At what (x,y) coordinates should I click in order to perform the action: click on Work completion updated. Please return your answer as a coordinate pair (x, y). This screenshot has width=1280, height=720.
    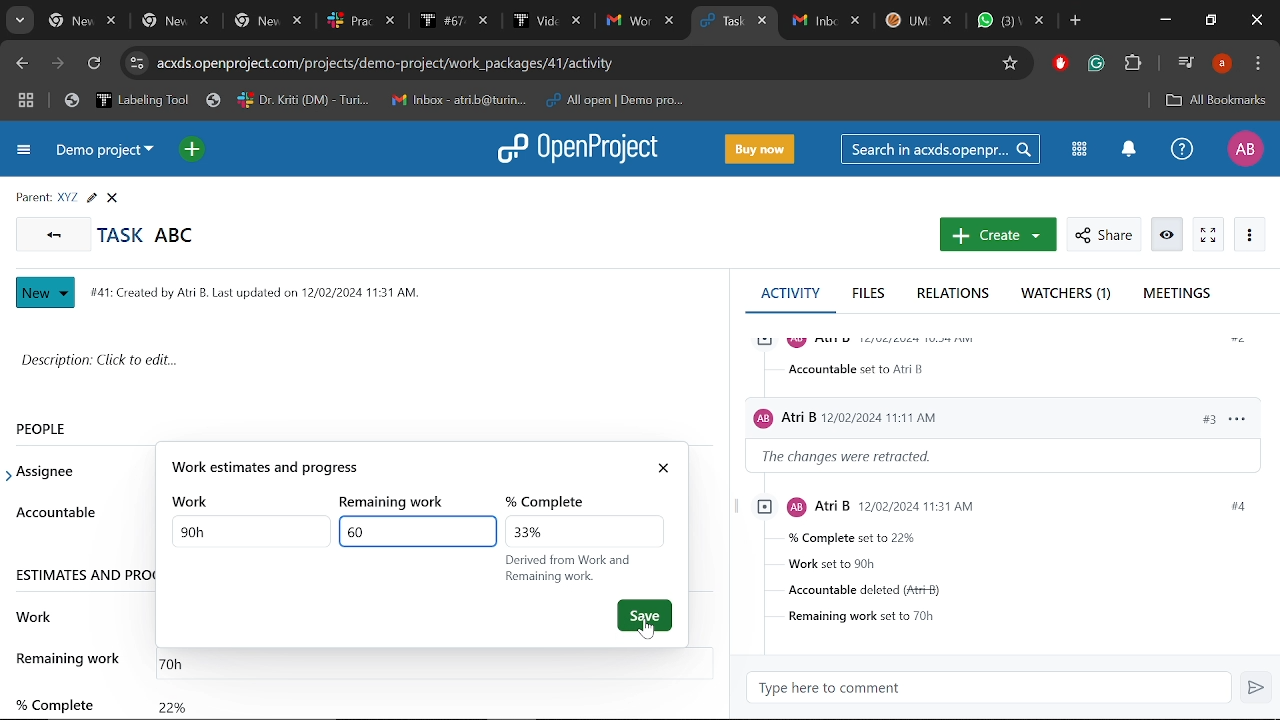
    Looking at the image, I should click on (414, 531).